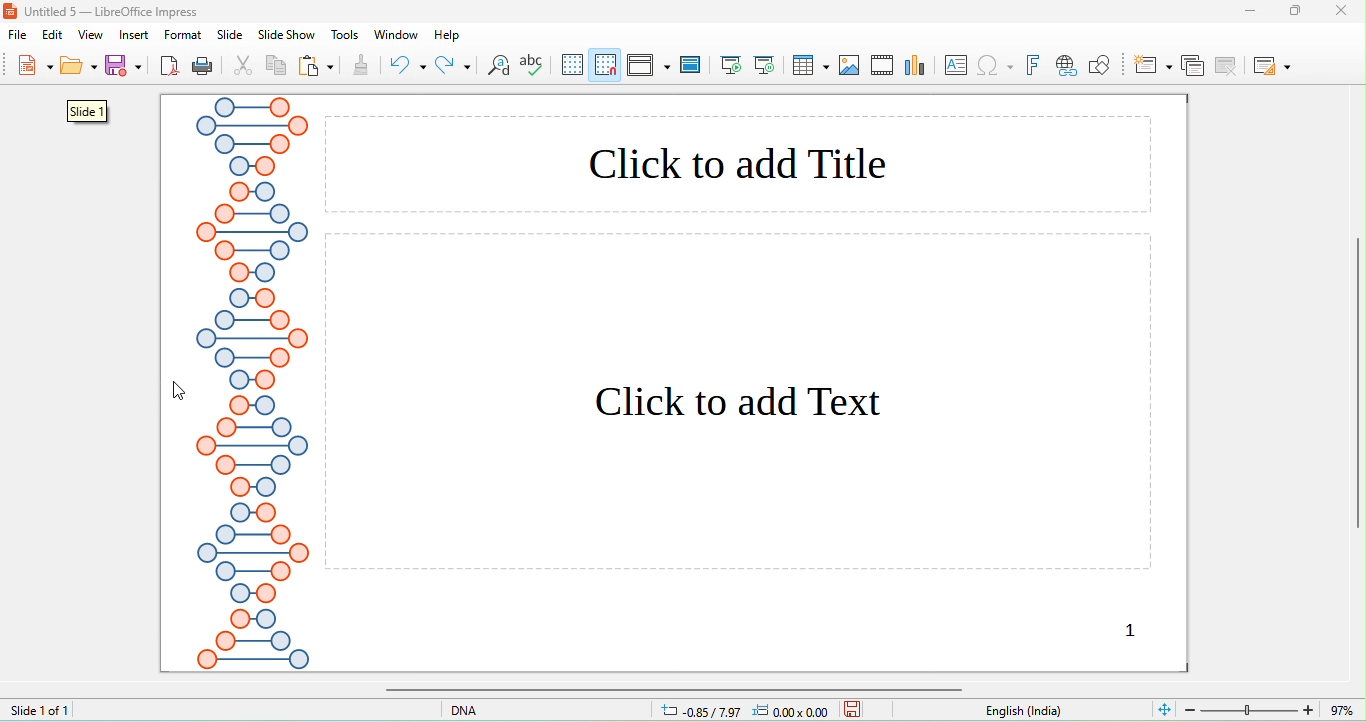  What do you see at coordinates (90, 35) in the screenshot?
I see `view` at bounding box center [90, 35].